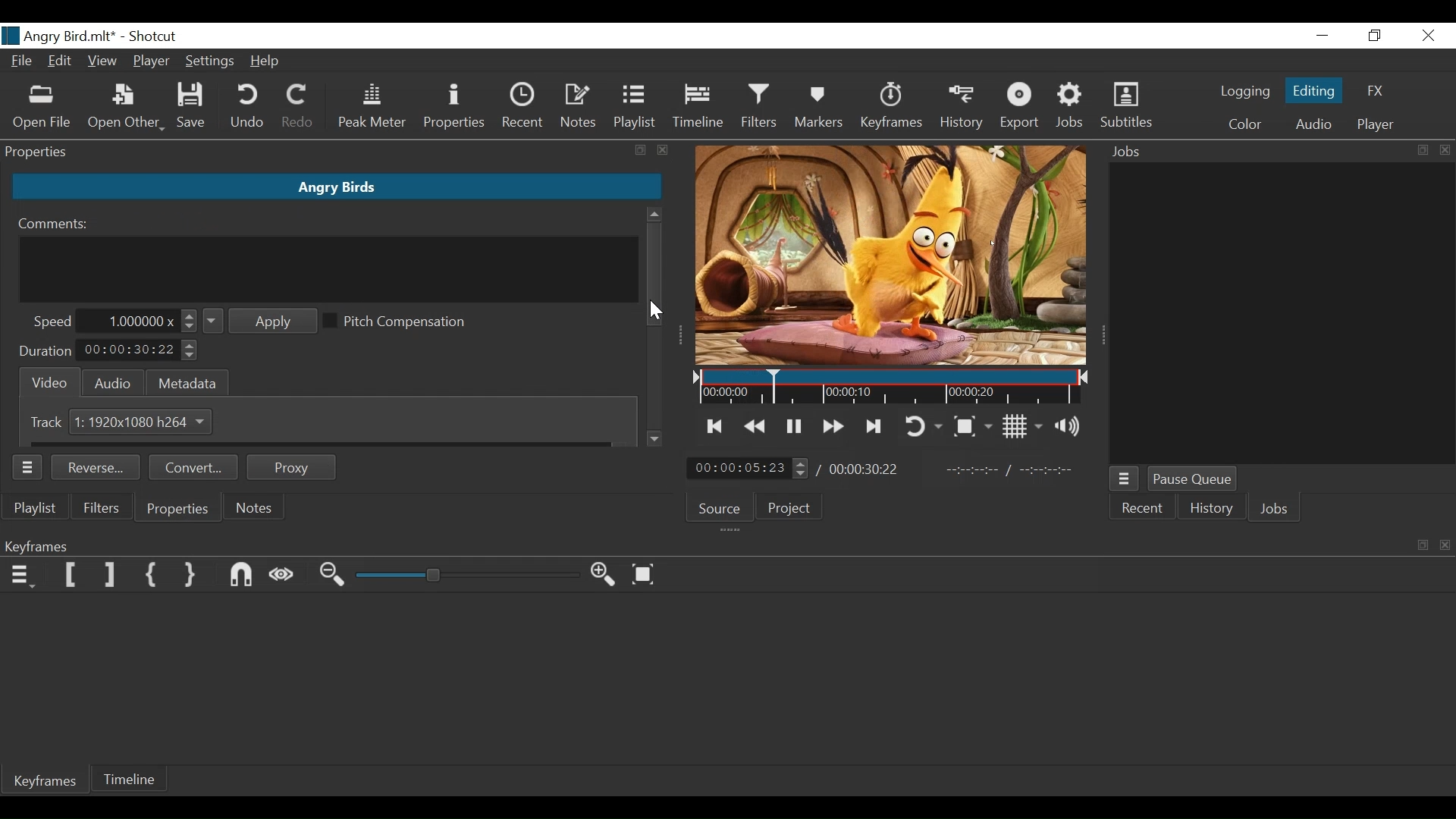 Image resolution: width=1456 pixels, height=819 pixels. What do you see at coordinates (59, 36) in the screenshot?
I see `File Name` at bounding box center [59, 36].